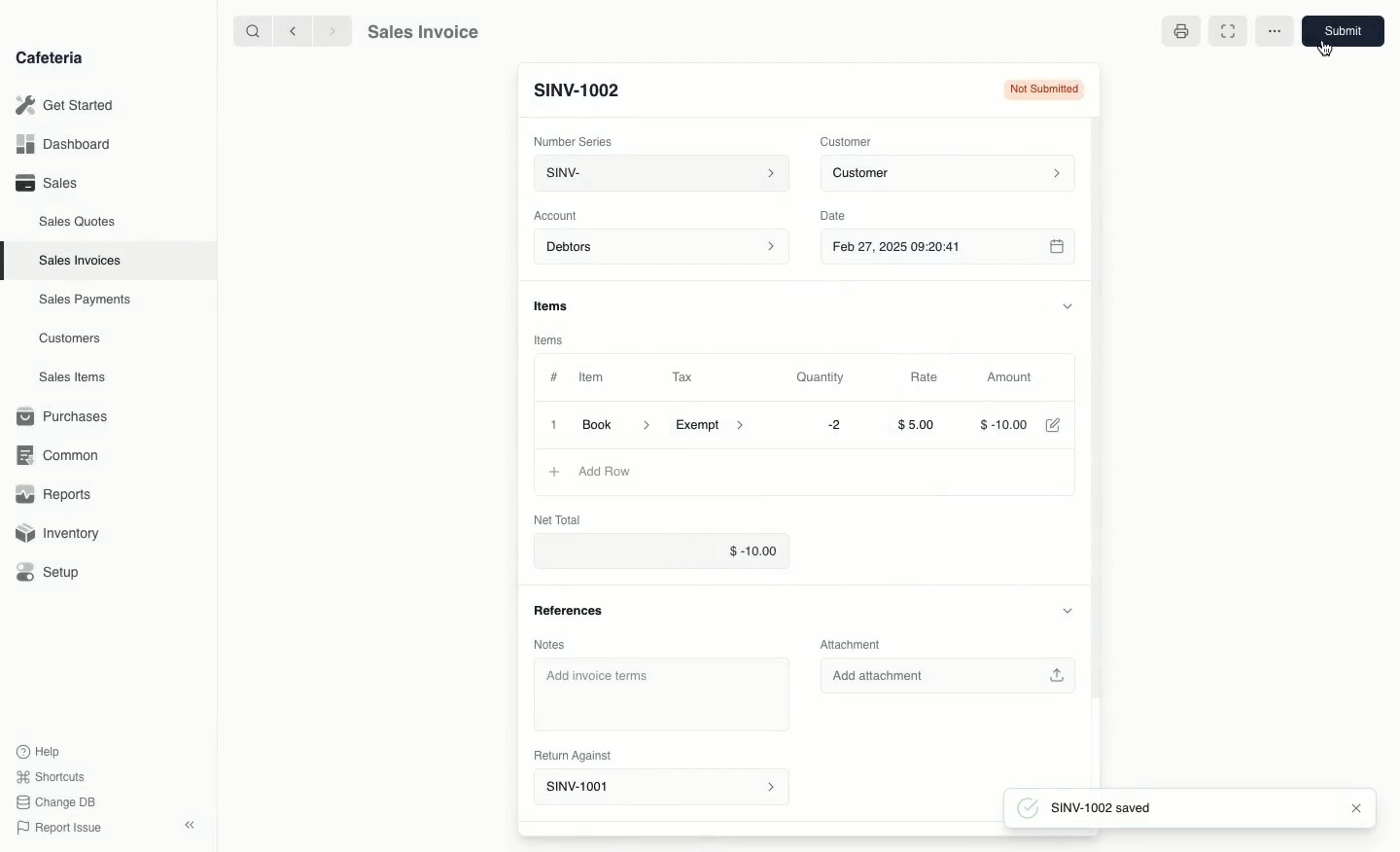 The width and height of the screenshot is (1400, 852). I want to click on -2, so click(833, 425).